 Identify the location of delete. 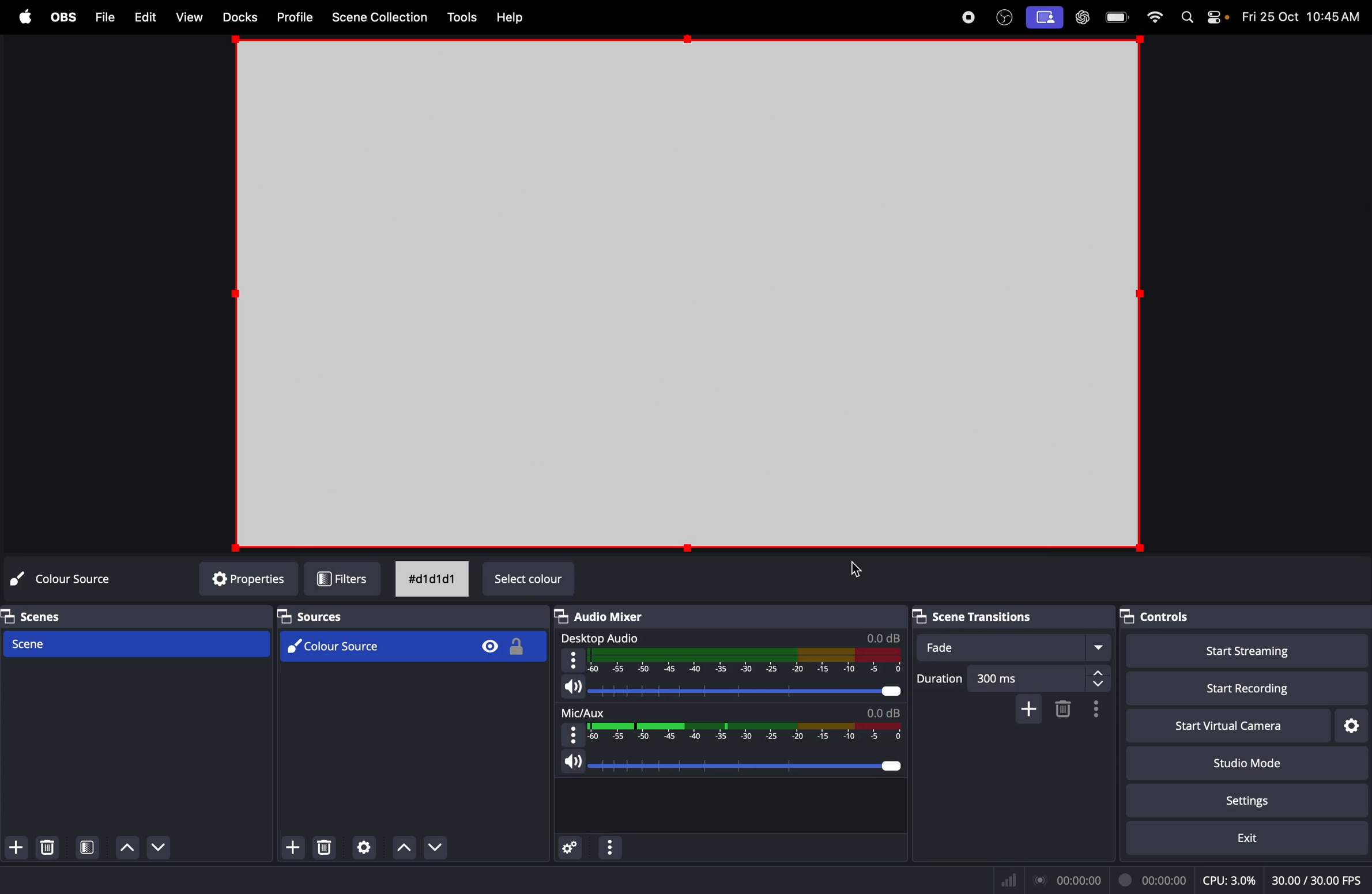
(323, 848).